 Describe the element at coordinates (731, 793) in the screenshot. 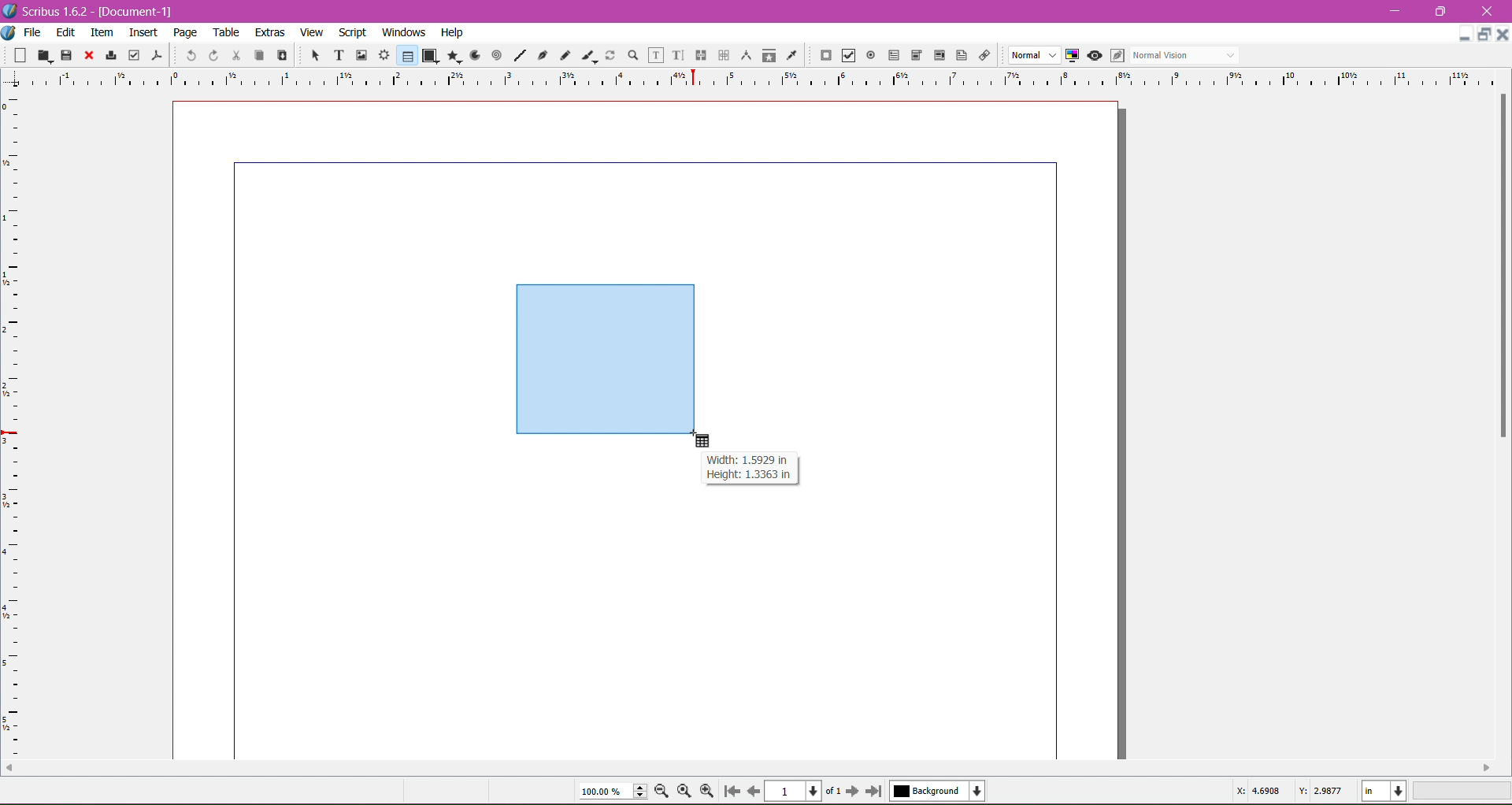

I see `First Page` at that location.